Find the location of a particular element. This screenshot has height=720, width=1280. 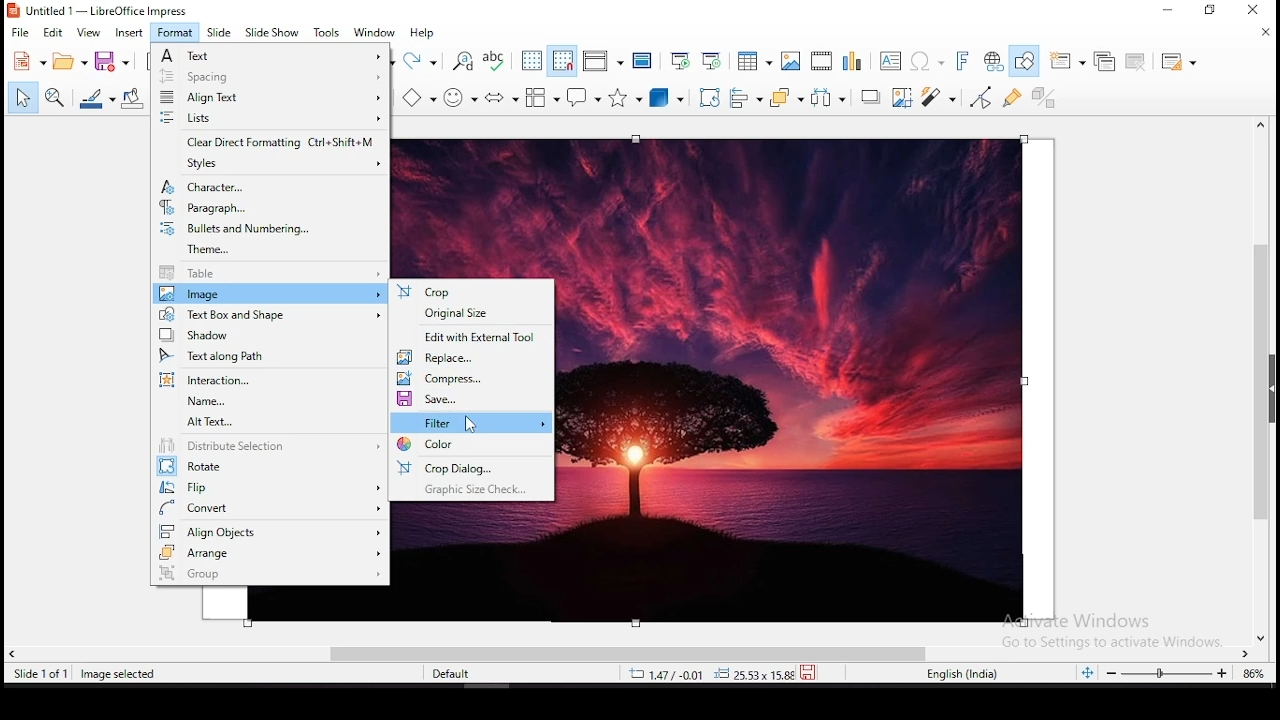

save is located at coordinates (112, 60).